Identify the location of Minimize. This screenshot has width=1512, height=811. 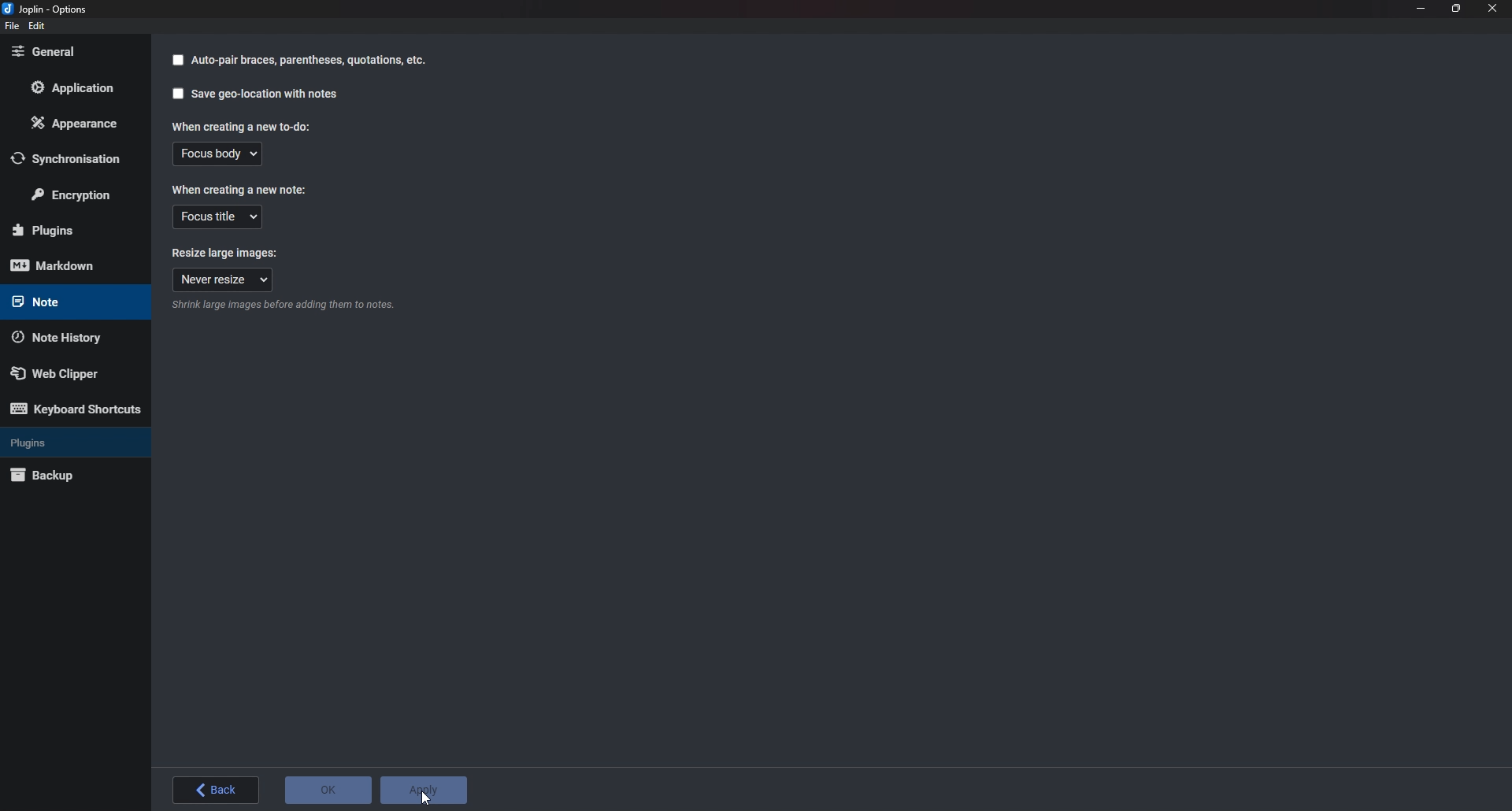
(1421, 7).